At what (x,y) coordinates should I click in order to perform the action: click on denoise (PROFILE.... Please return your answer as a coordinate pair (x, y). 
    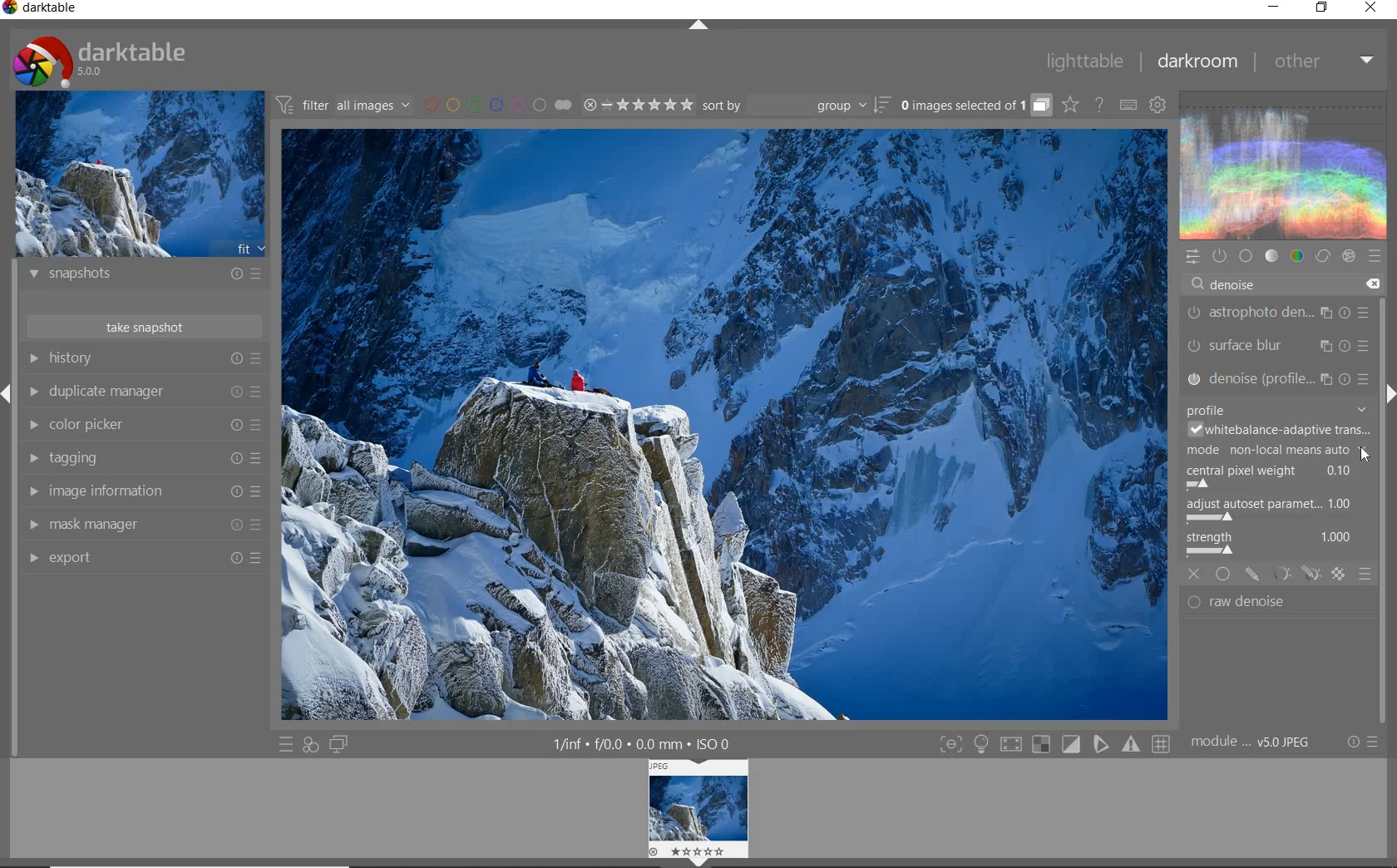
    Looking at the image, I should click on (1279, 378).